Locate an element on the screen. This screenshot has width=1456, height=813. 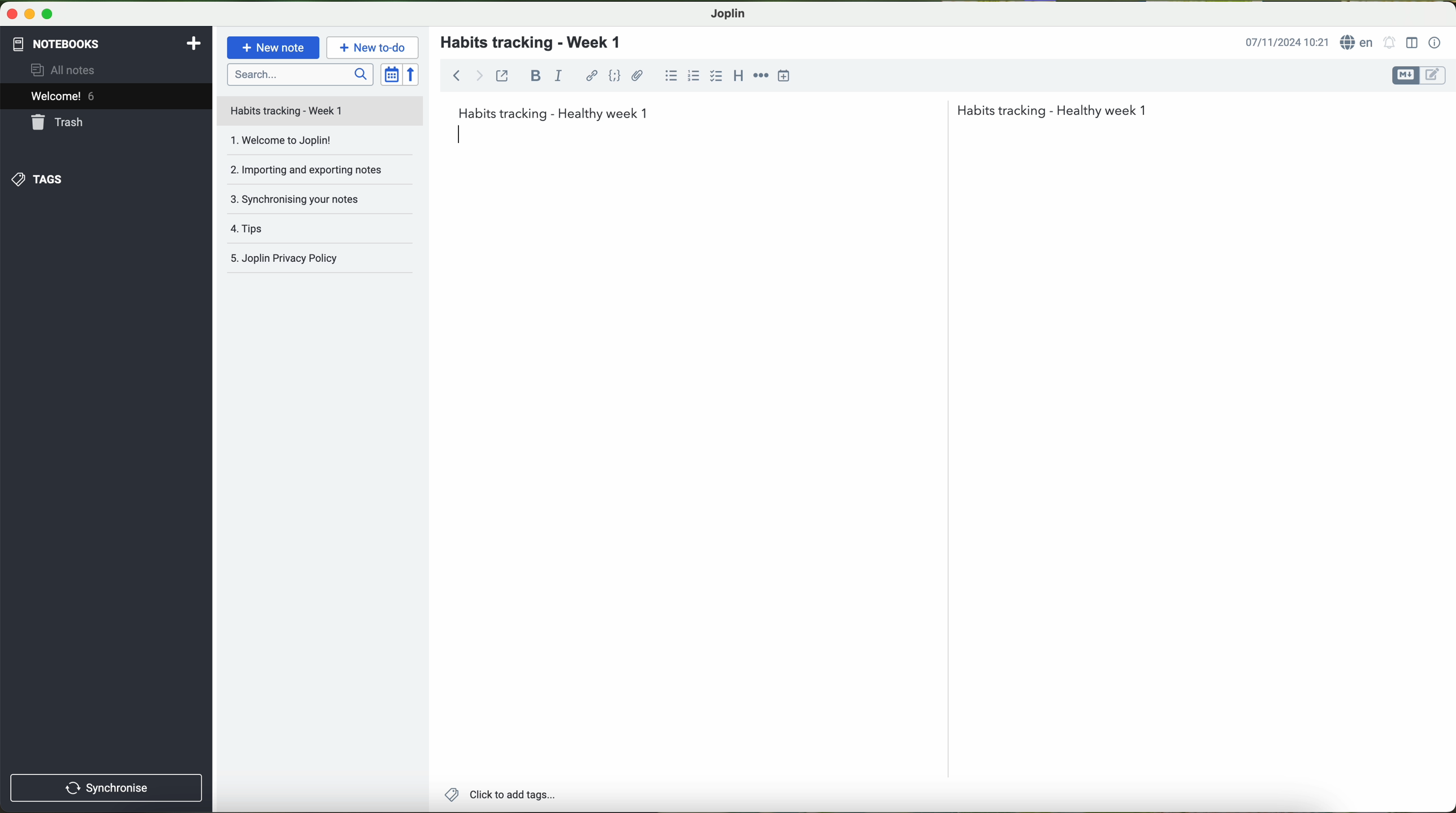
new to-do button is located at coordinates (372, 47).